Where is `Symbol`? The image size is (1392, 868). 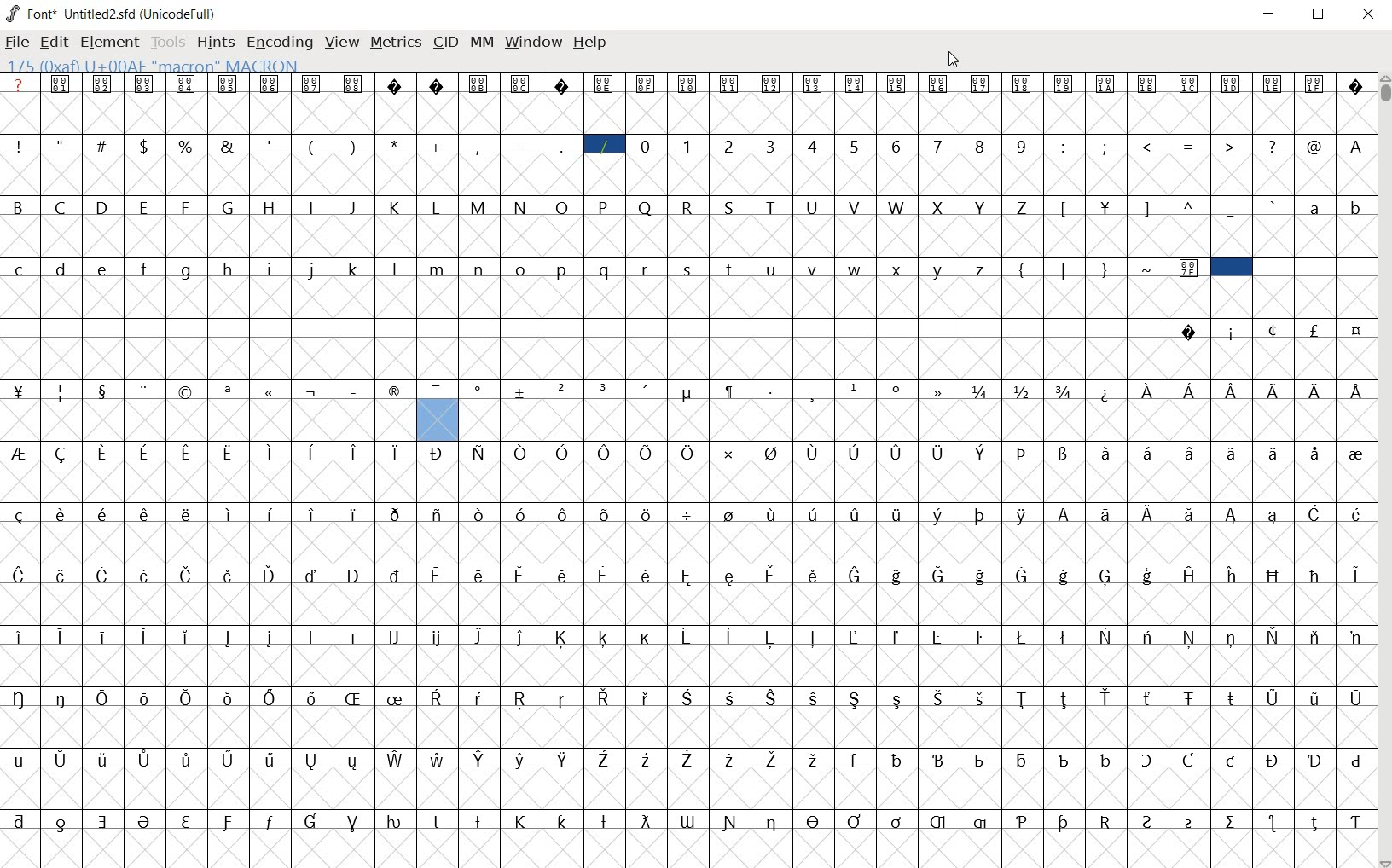
Symbol is located at coordinates (64, 574).